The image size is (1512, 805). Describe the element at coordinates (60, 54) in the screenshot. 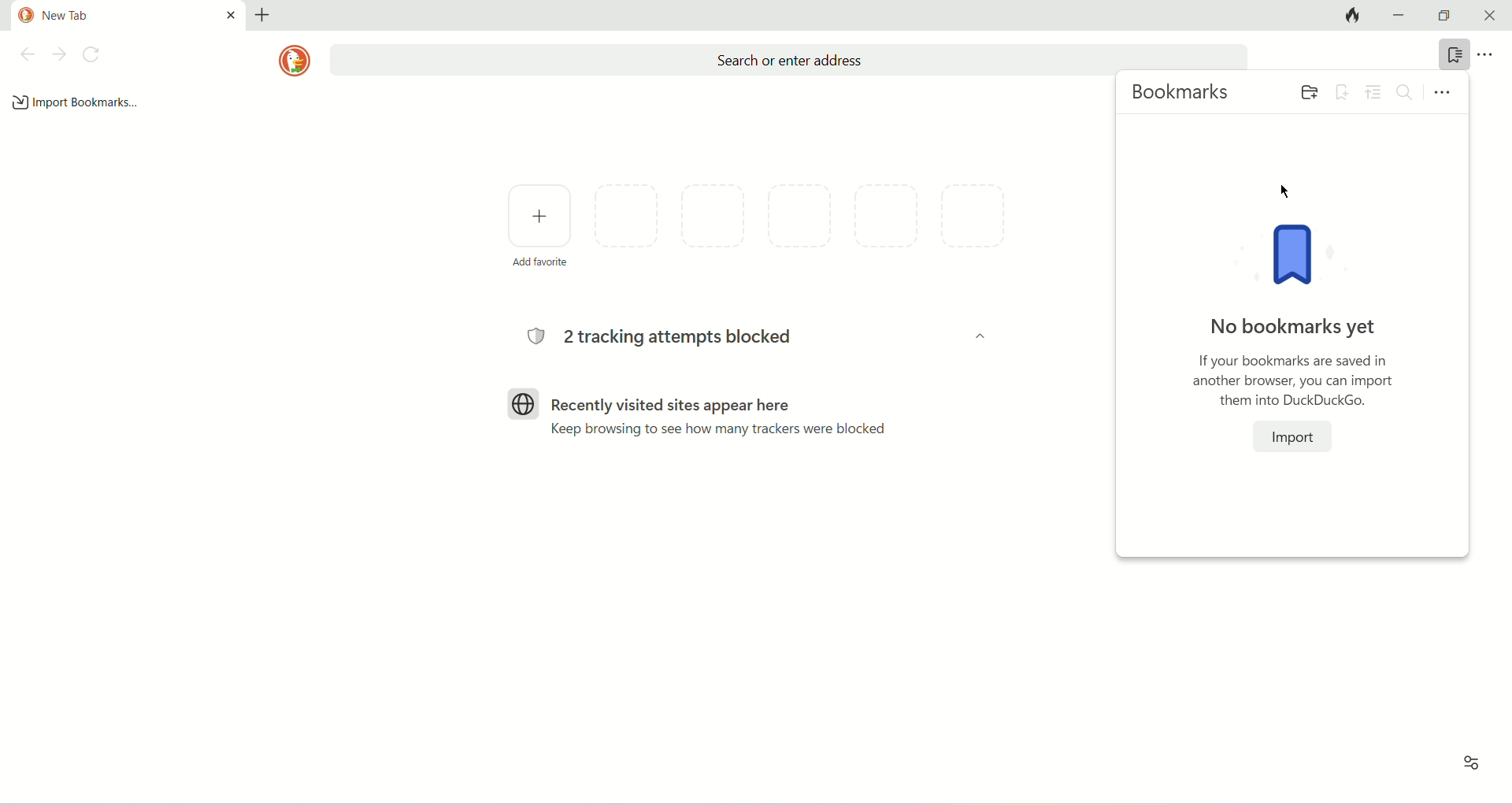

I see `next` at that location.